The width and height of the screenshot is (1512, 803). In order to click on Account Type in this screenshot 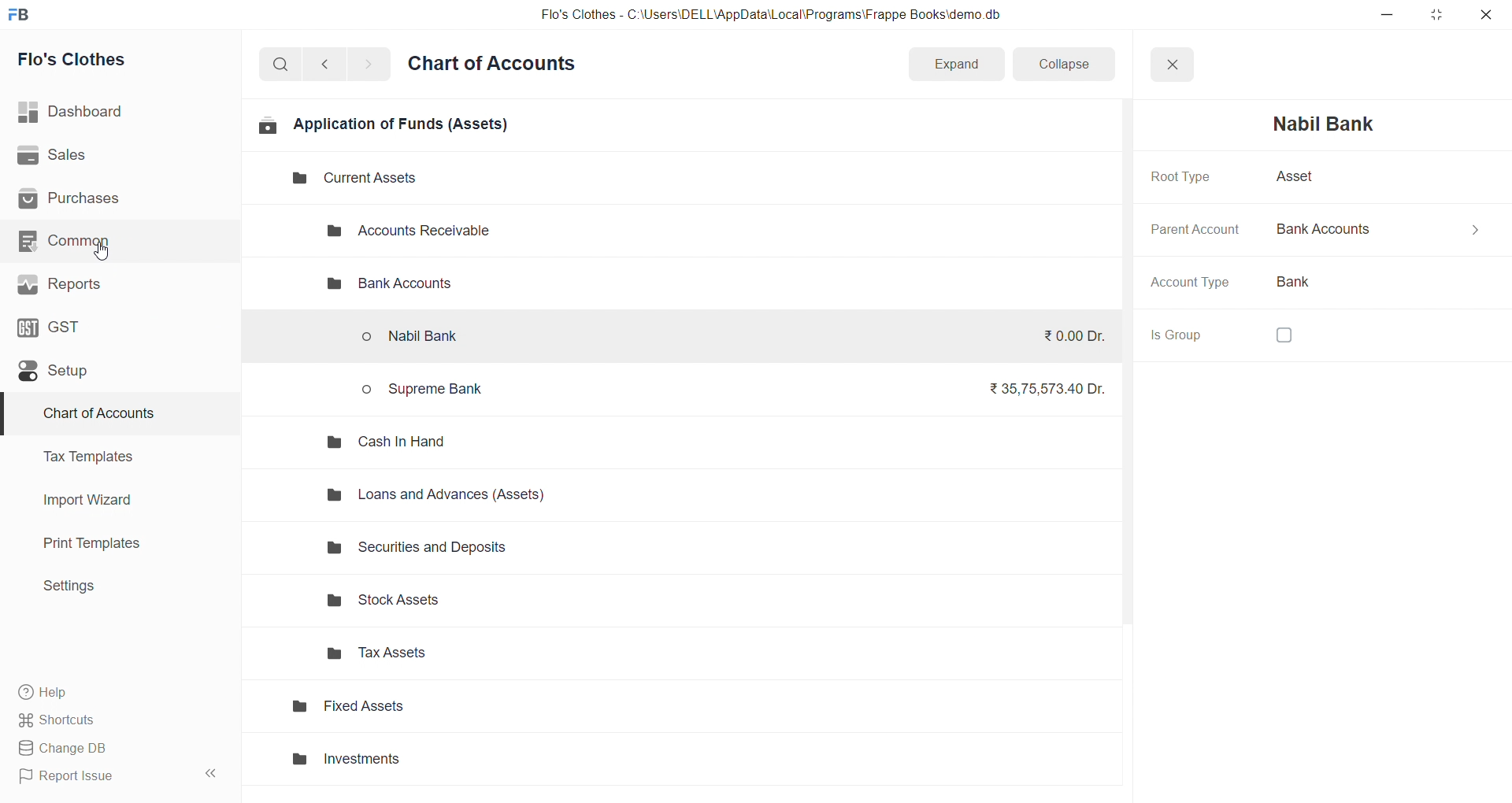, I will do `click(1195, 284)`.